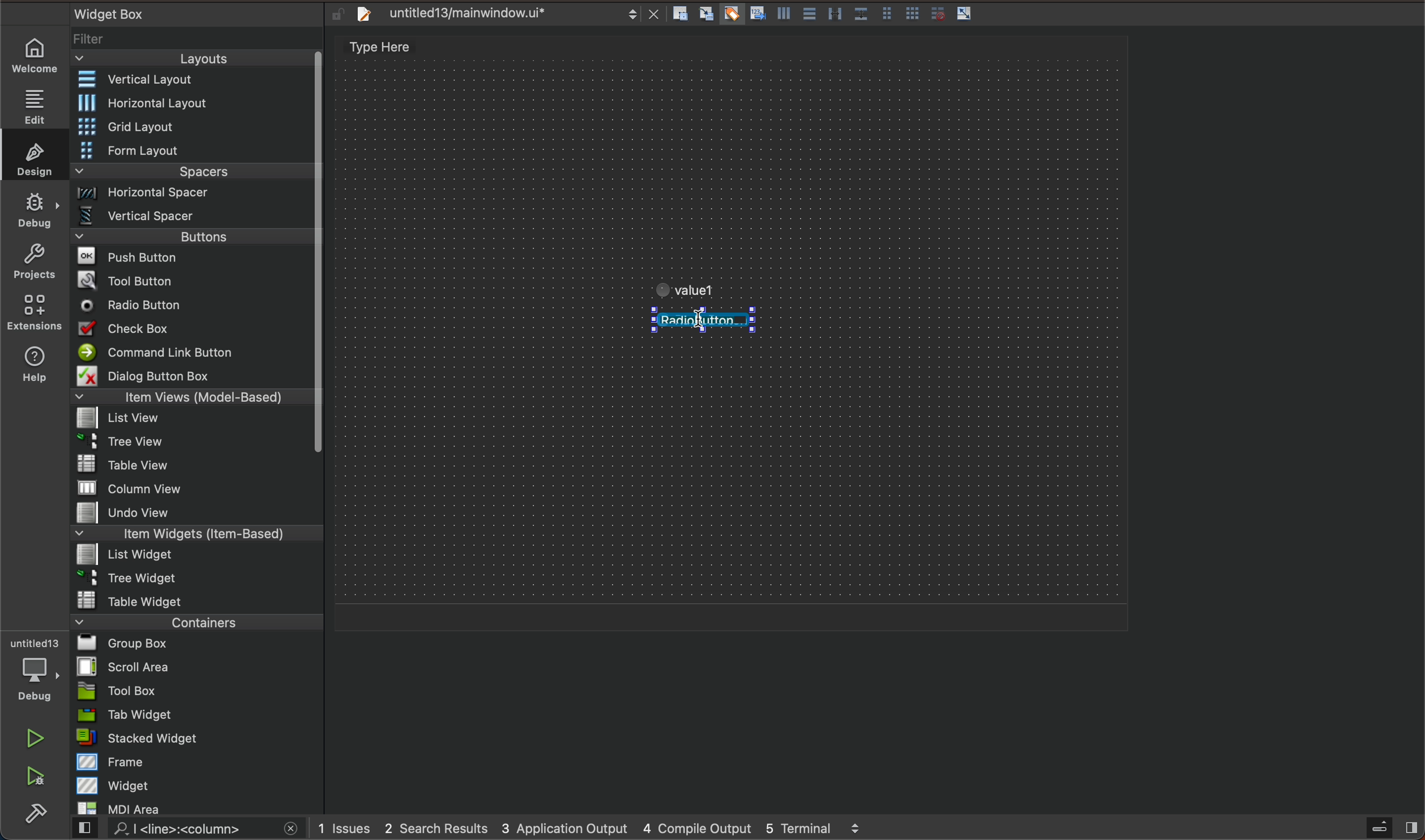  I want to click on , so click(808, 15).